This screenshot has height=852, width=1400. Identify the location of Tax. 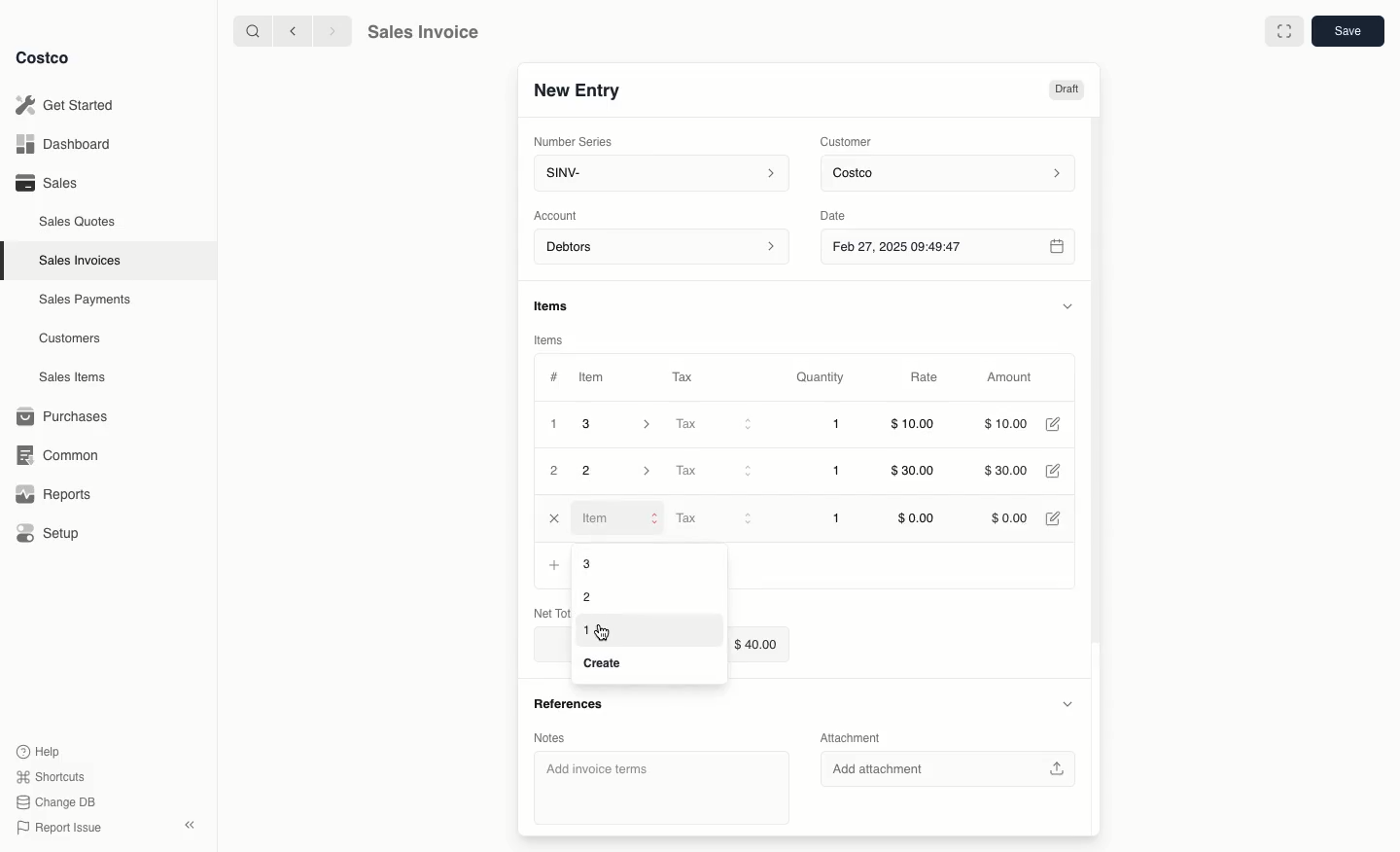
(713, 425).